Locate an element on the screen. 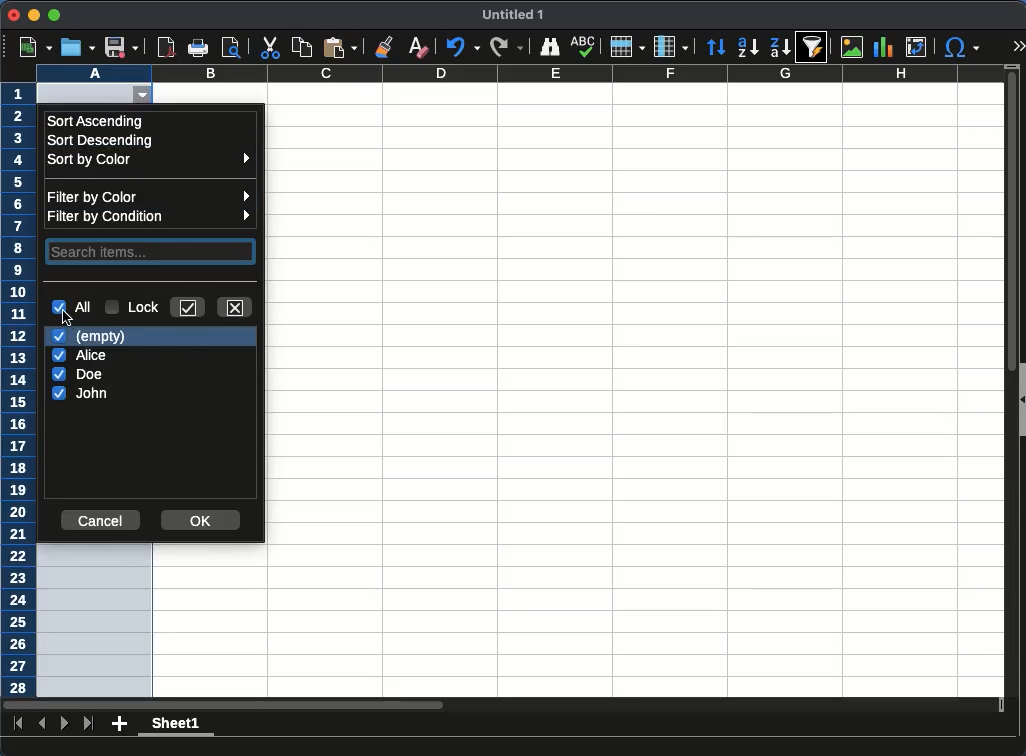 The width and height of the screenshot is (1026, 756). keep is located at coordinates (186, 307).